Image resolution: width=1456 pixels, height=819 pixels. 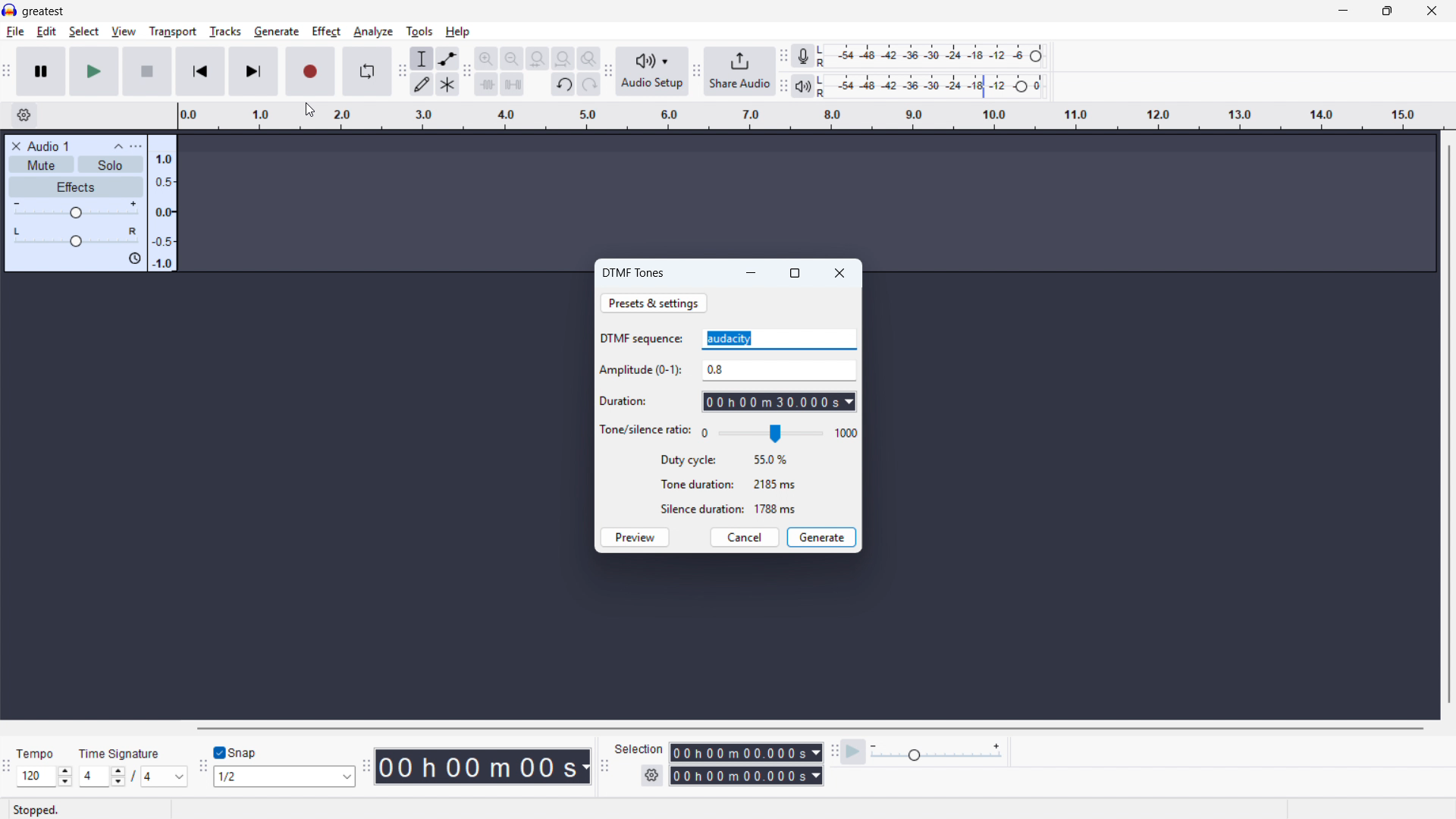 I want to click on audio setup toolbar, so click(x=607, y=74).